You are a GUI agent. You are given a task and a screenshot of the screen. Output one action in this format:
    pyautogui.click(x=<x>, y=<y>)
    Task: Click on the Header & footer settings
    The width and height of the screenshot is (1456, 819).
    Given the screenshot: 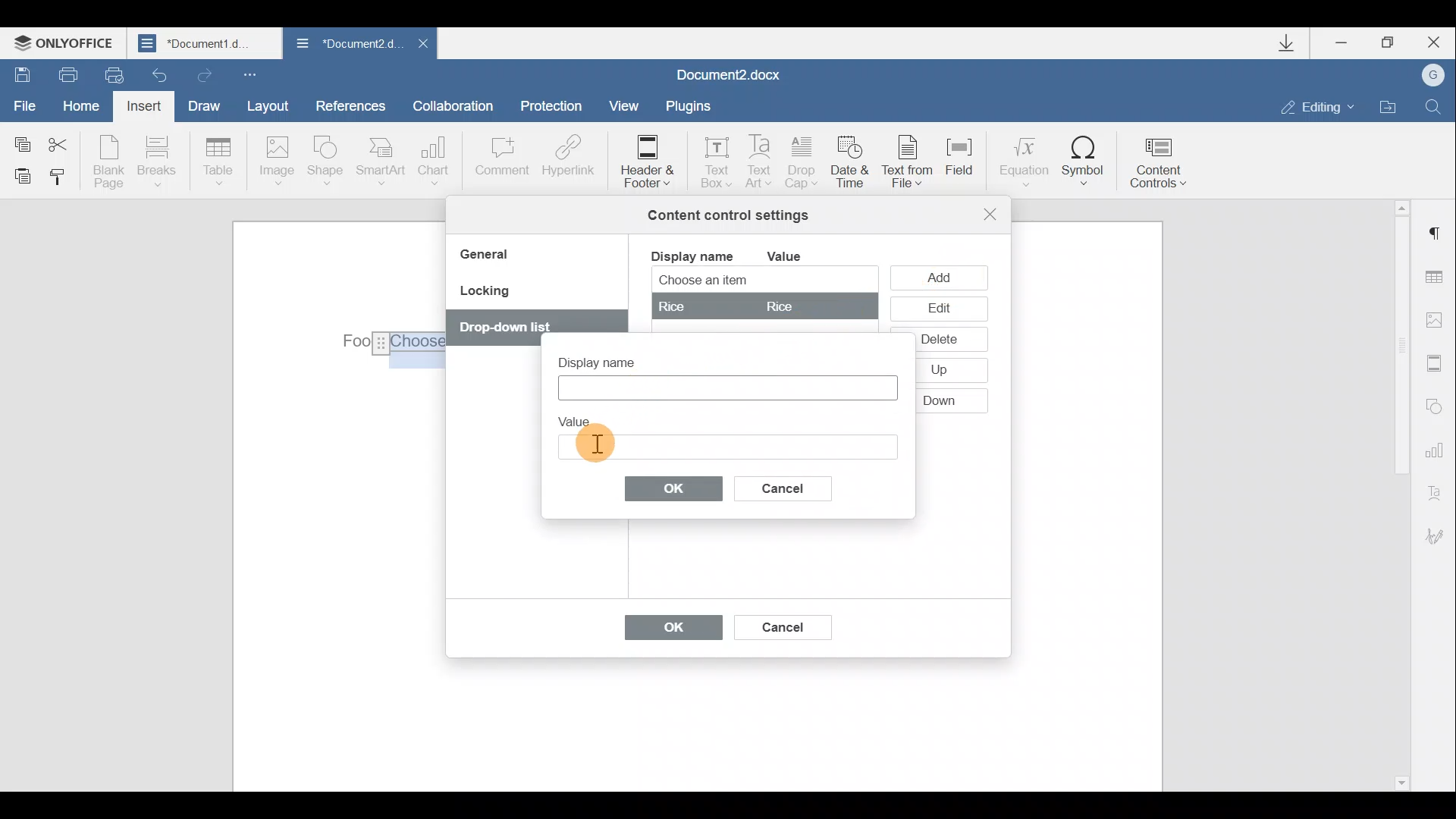 What is the action you would take?
    pyautogui.click(x=1438, y=362)
    